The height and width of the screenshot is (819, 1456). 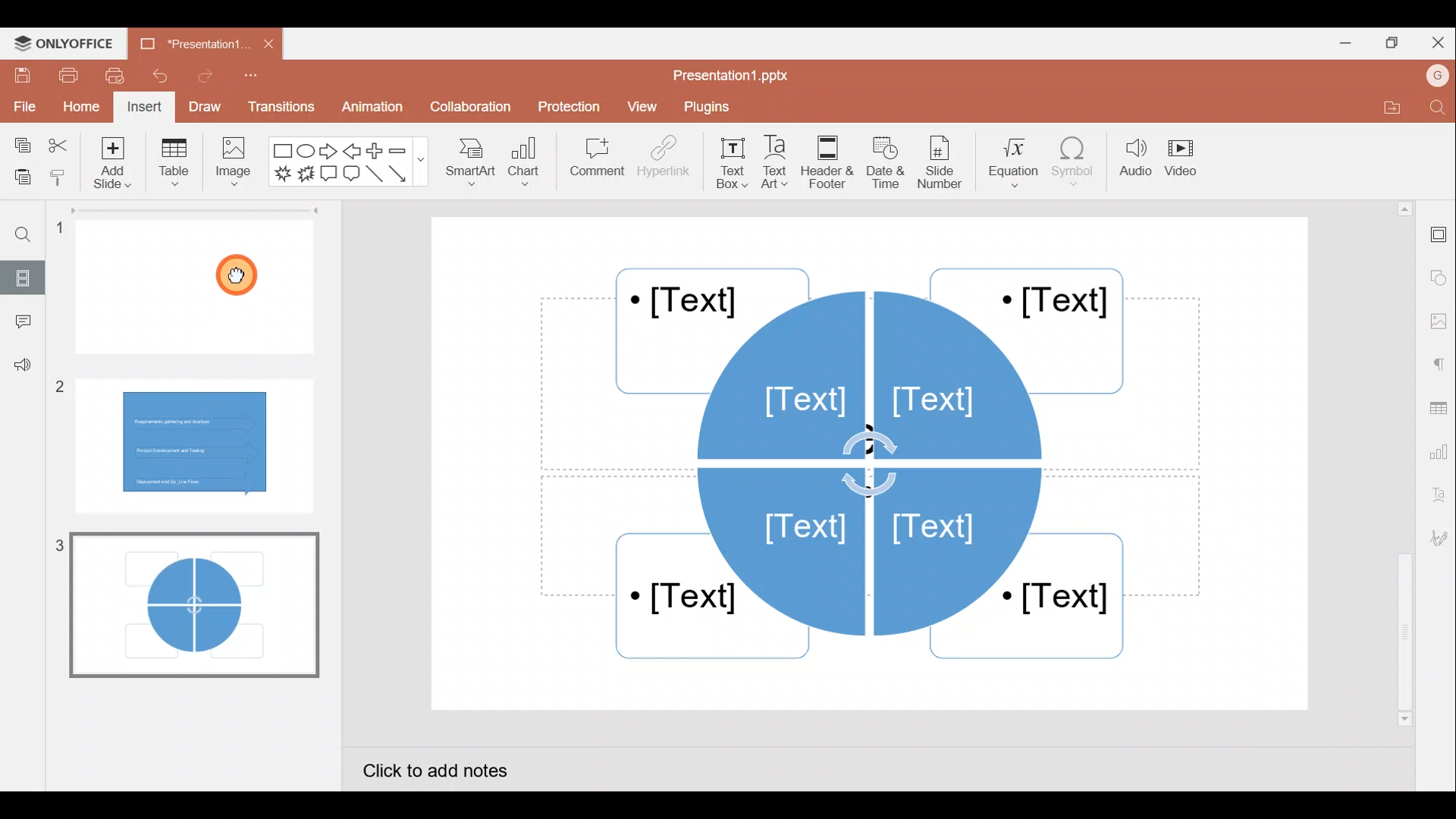 What do you see at coordinates (1341, 45) in the screenshot?
I see `Minimize` at bounding box center [1341, 45].